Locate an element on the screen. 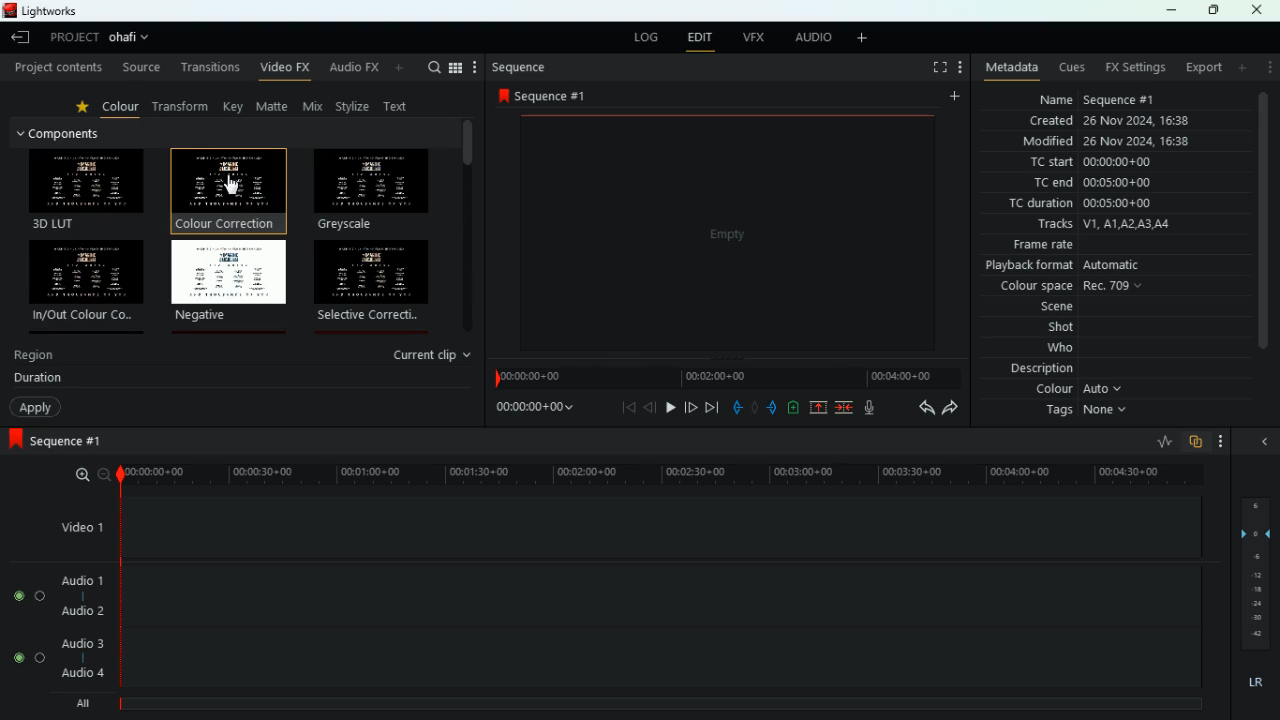  vertical scroll bar is located at coordinates (467, 227).